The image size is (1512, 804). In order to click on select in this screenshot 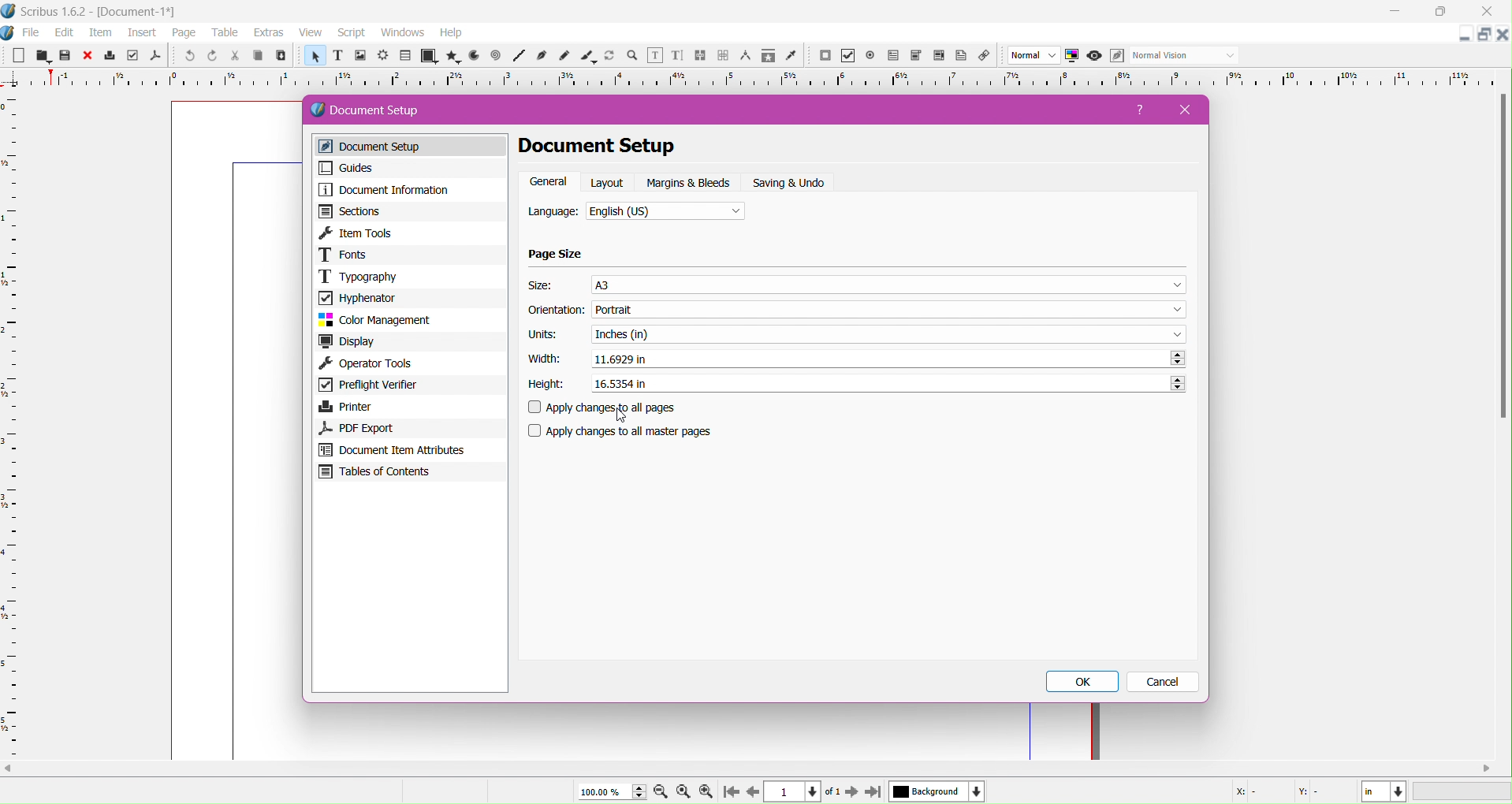, I will do `click(313, 58)`.